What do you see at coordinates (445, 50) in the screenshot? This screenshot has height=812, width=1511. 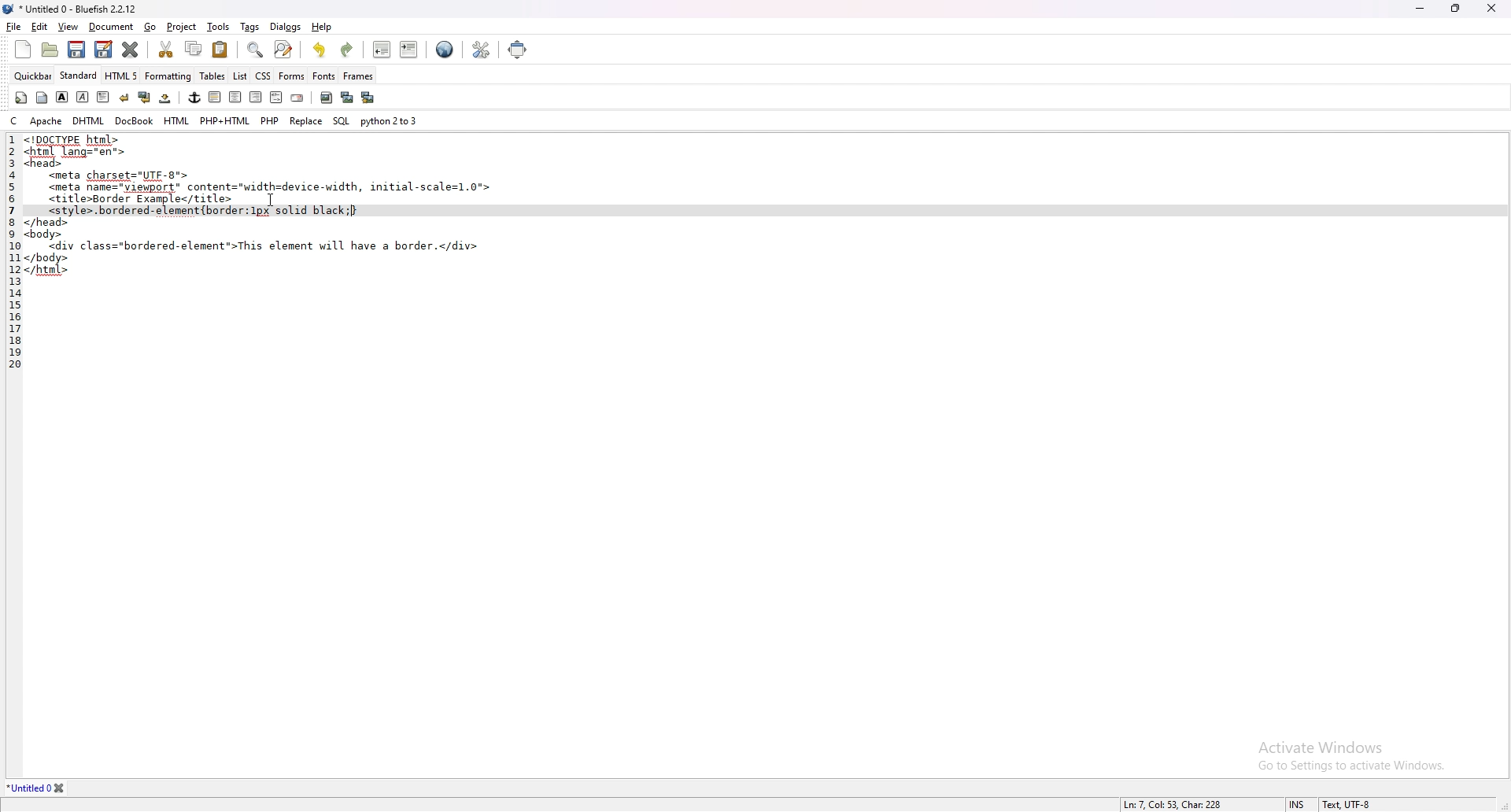 I see `edit in browser` at bounding box center [445, 50].